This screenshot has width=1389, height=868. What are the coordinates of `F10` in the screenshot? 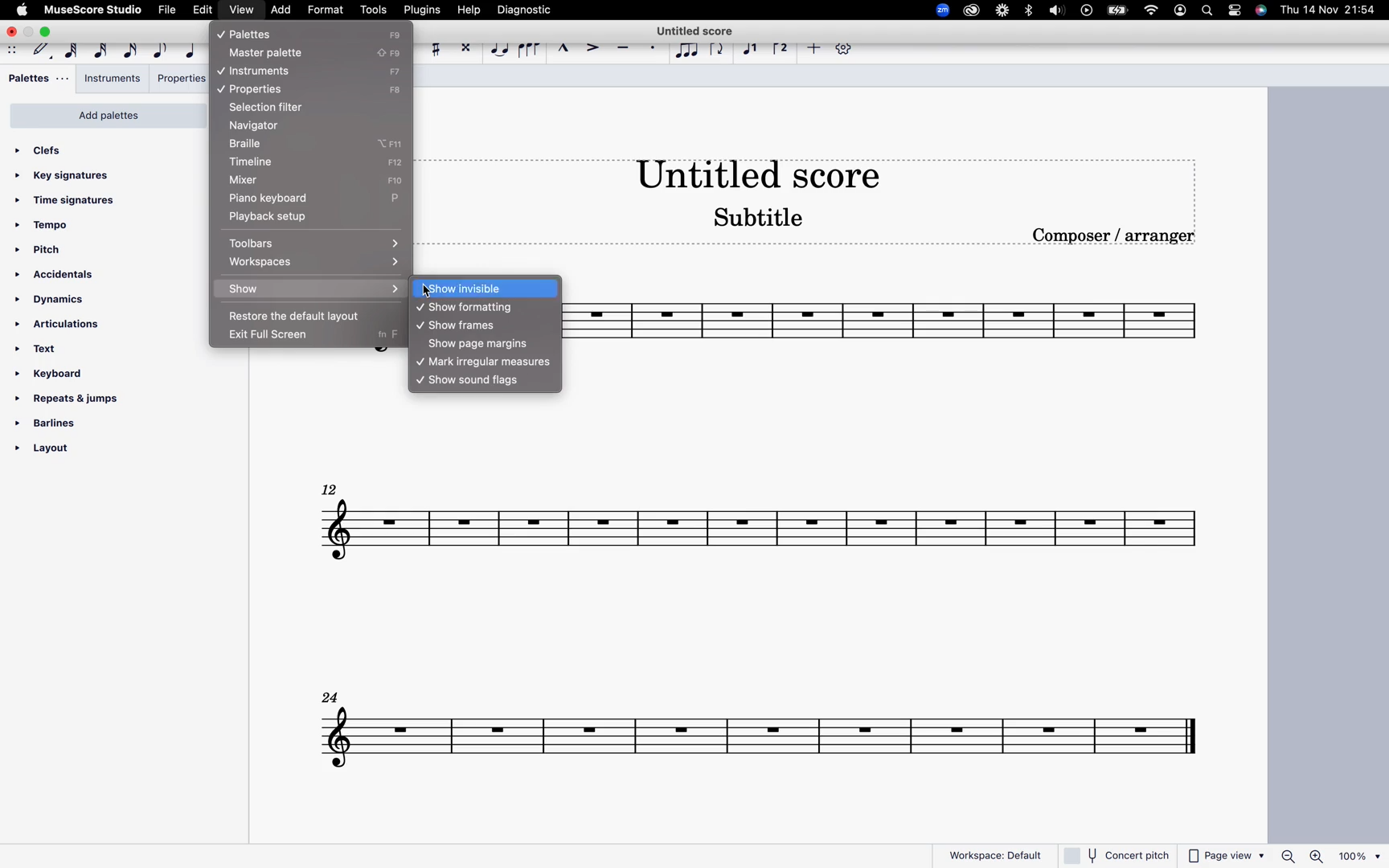 It's located at (398, 181).